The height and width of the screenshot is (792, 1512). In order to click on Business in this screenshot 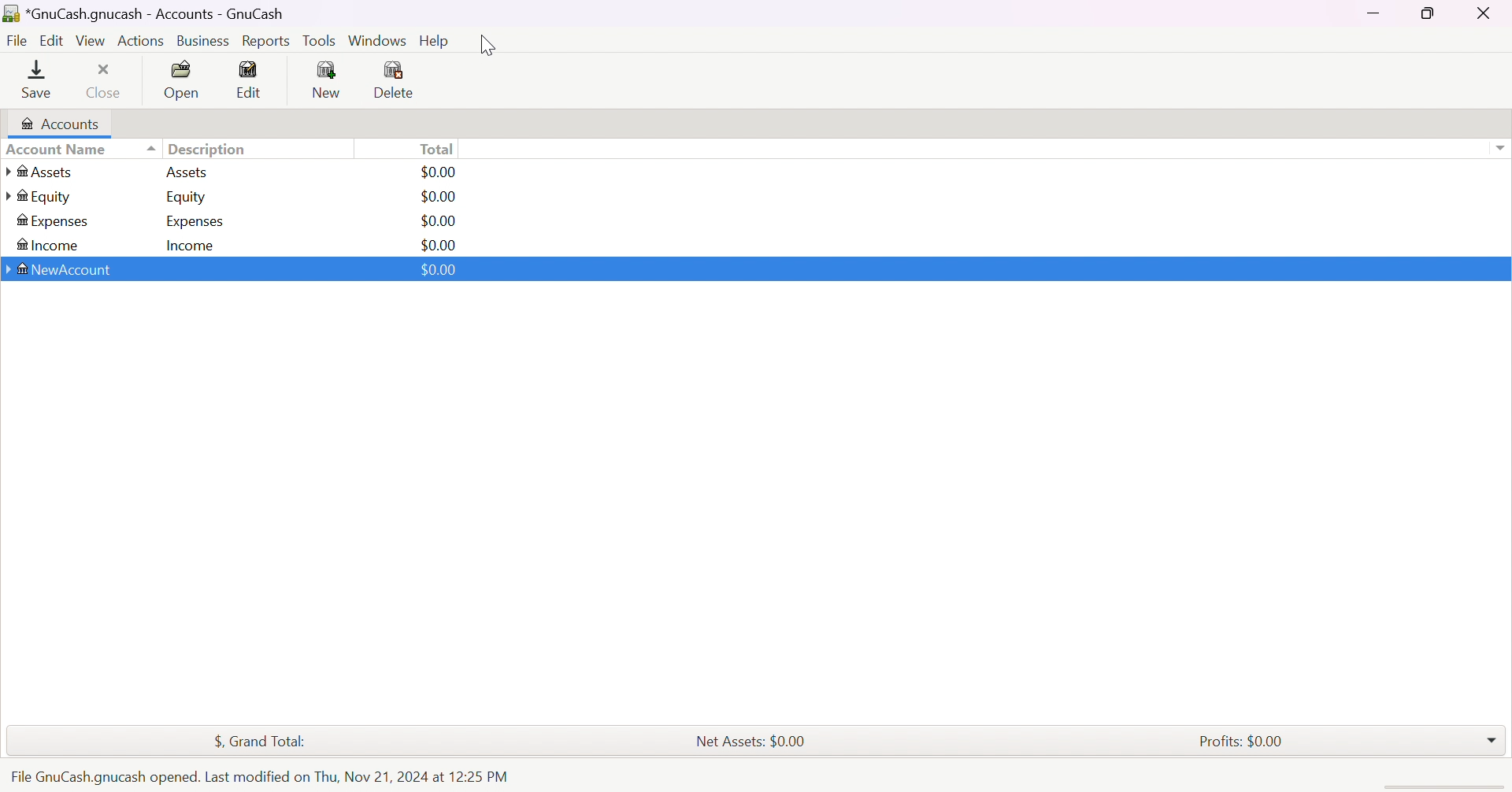, I will do `click(206, 41)`.